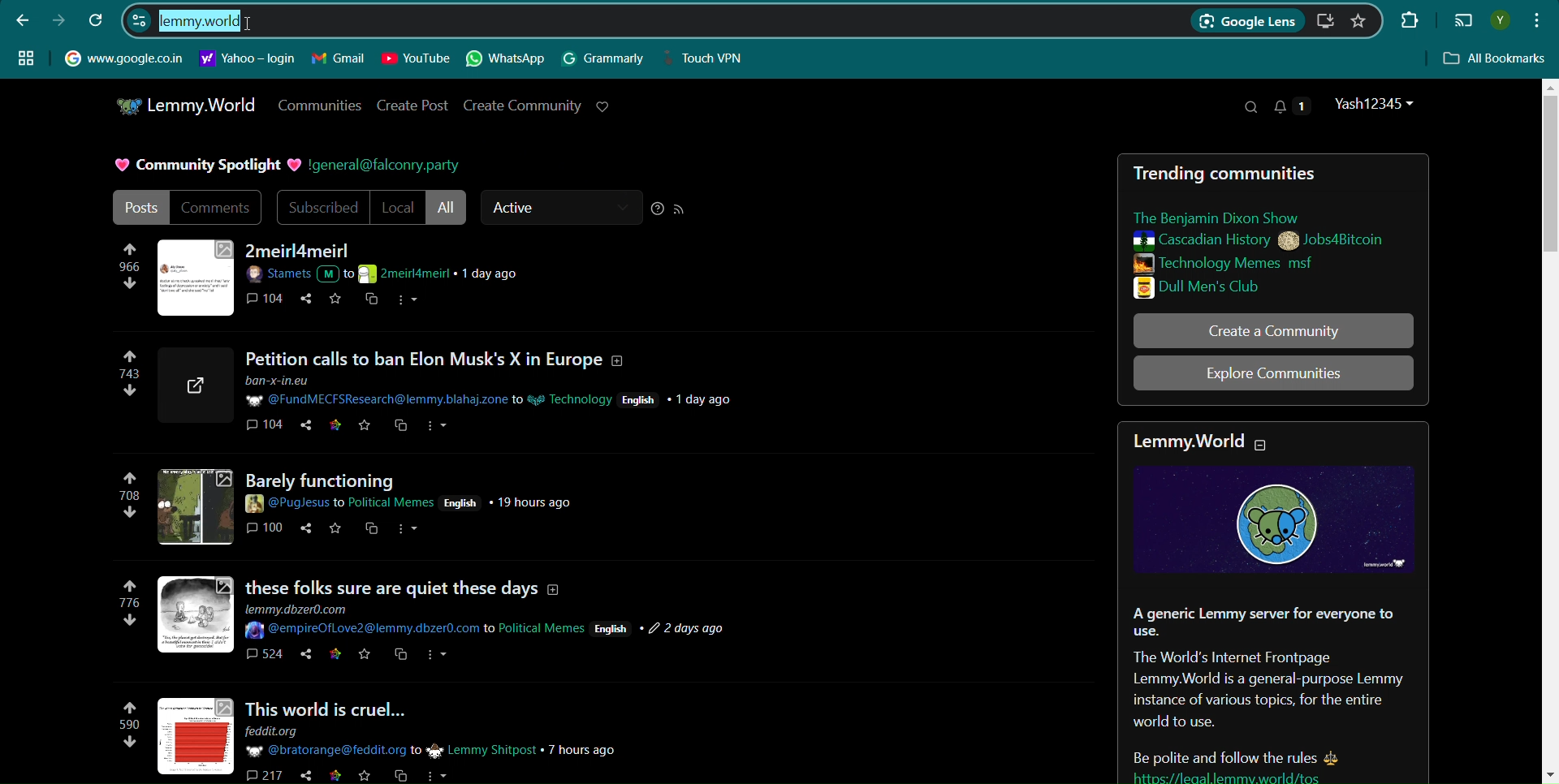 The height and width of the screenshot is (784, 1559). I want to click on more, so click(438, 774).